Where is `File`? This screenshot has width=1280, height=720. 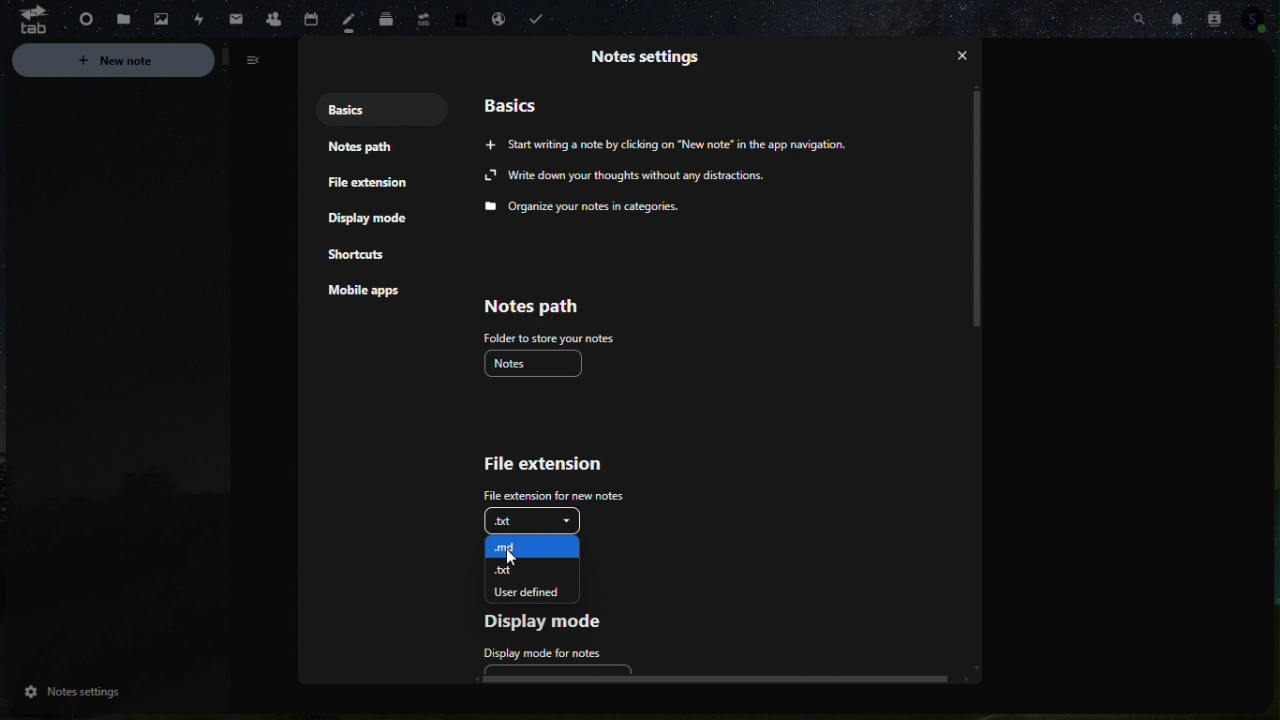 File is located at coordinates (116, 20).